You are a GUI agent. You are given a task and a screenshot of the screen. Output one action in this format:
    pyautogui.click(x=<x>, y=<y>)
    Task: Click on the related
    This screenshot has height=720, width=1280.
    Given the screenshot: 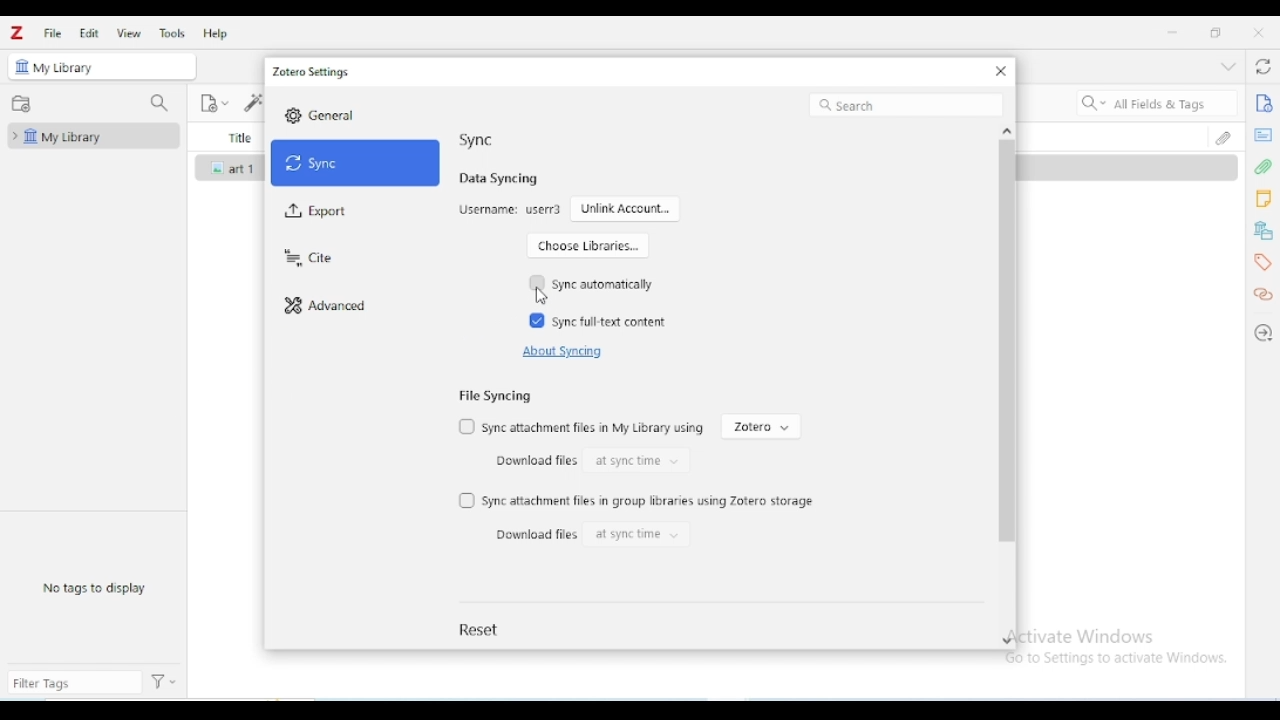 What is the action you would take?
    pyautogui.click(x=1263, y=295)
    